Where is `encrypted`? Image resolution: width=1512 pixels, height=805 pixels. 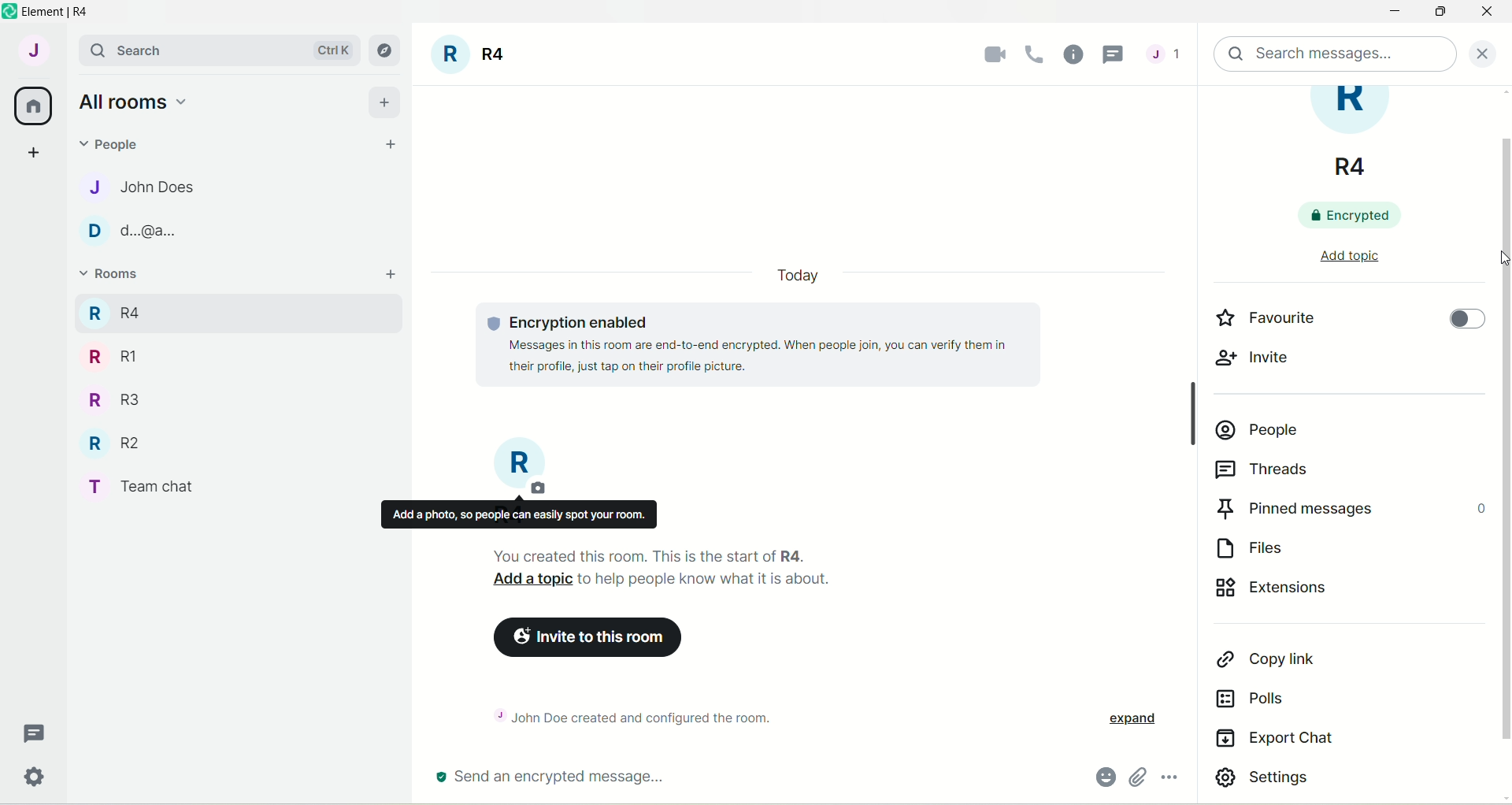 encrypted is located at coordinates (1360, 214).